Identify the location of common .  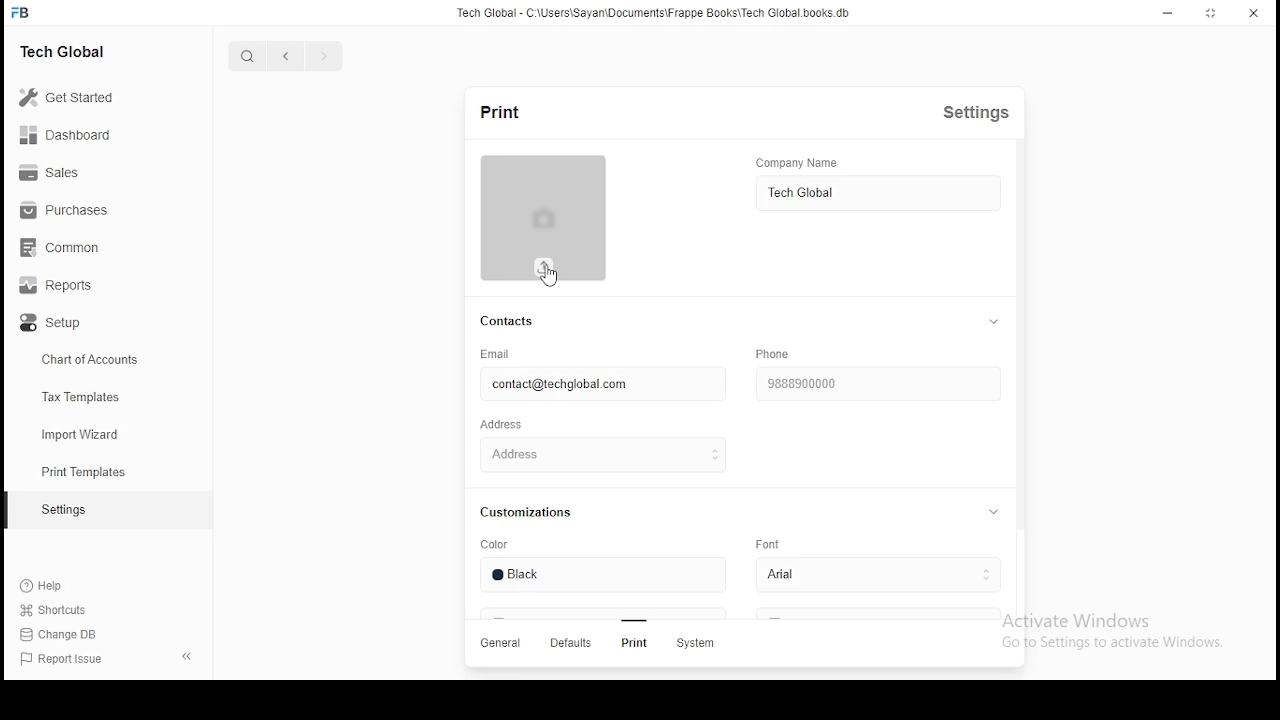
(80, 250).